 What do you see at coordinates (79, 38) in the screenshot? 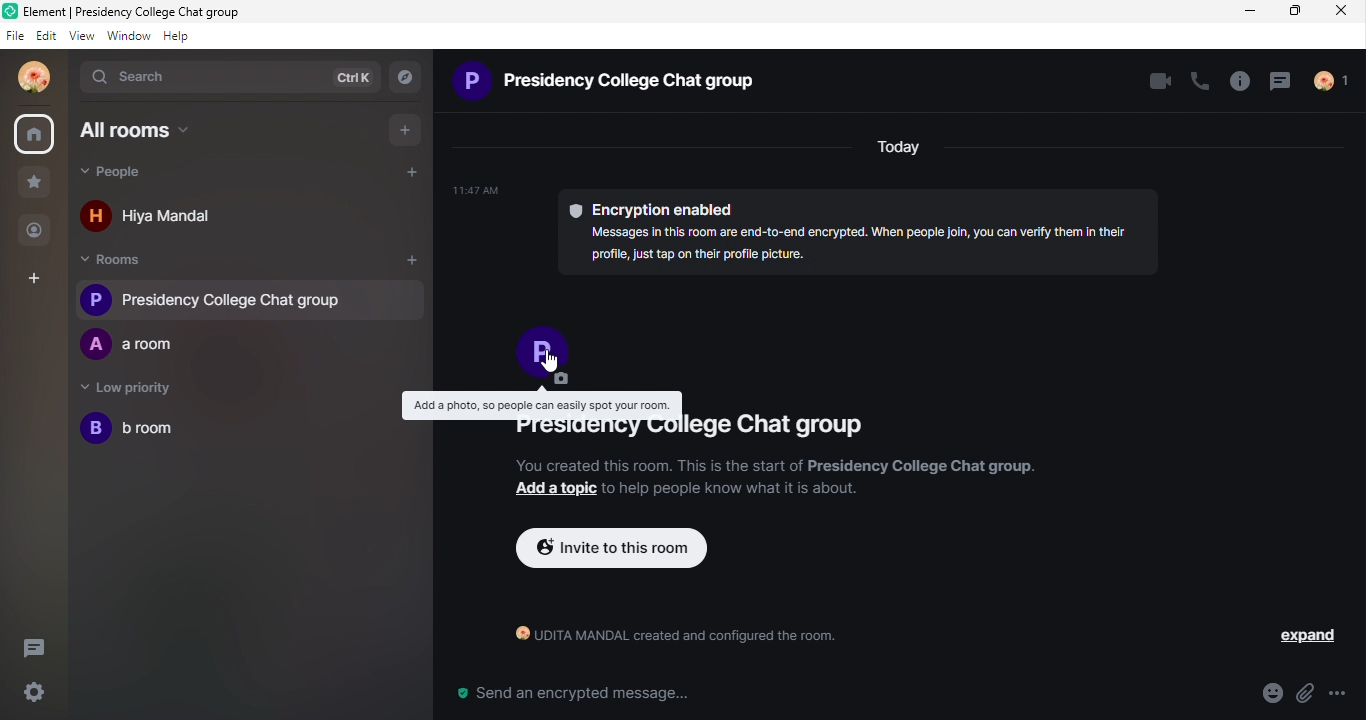
I see `view` at bounding box center [79, 38].